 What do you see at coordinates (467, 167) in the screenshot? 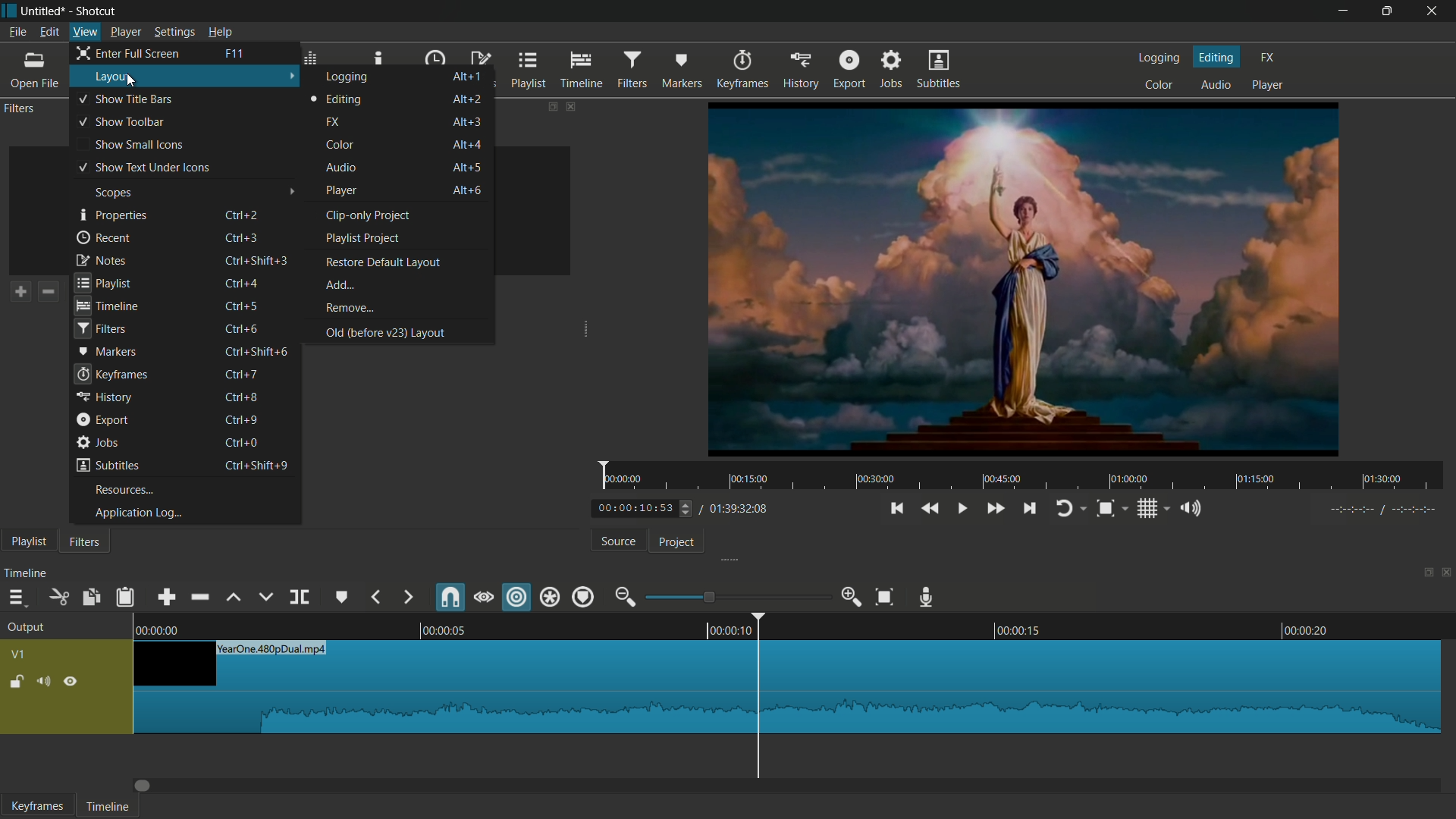
I see `keyboard shortcut` at bounding box center [467, 167].